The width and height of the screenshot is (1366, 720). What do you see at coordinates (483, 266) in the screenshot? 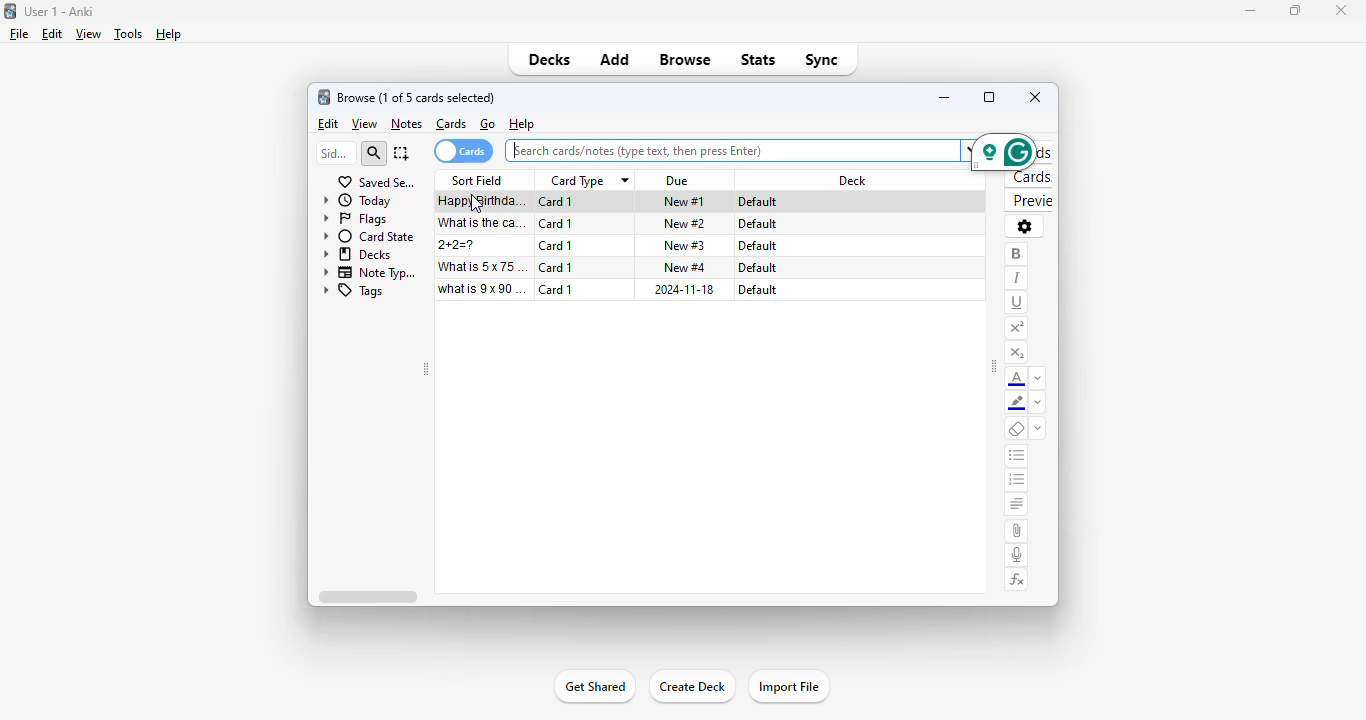
I see `what is 5x75=?` at bounding box center [483, 266].